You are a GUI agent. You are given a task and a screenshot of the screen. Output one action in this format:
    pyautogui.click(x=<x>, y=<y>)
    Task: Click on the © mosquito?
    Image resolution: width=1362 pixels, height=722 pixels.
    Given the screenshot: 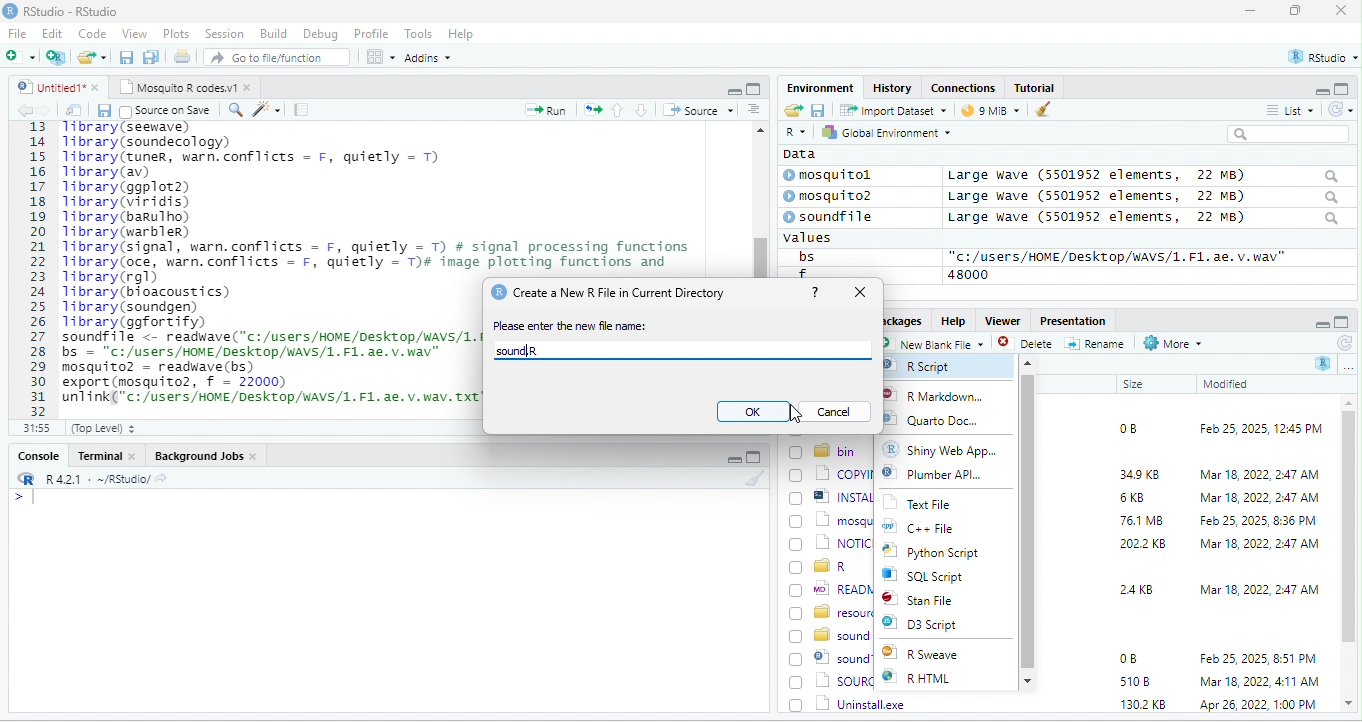 What is the action you would take?
    pyautogui.click(x=834, y=194)
    